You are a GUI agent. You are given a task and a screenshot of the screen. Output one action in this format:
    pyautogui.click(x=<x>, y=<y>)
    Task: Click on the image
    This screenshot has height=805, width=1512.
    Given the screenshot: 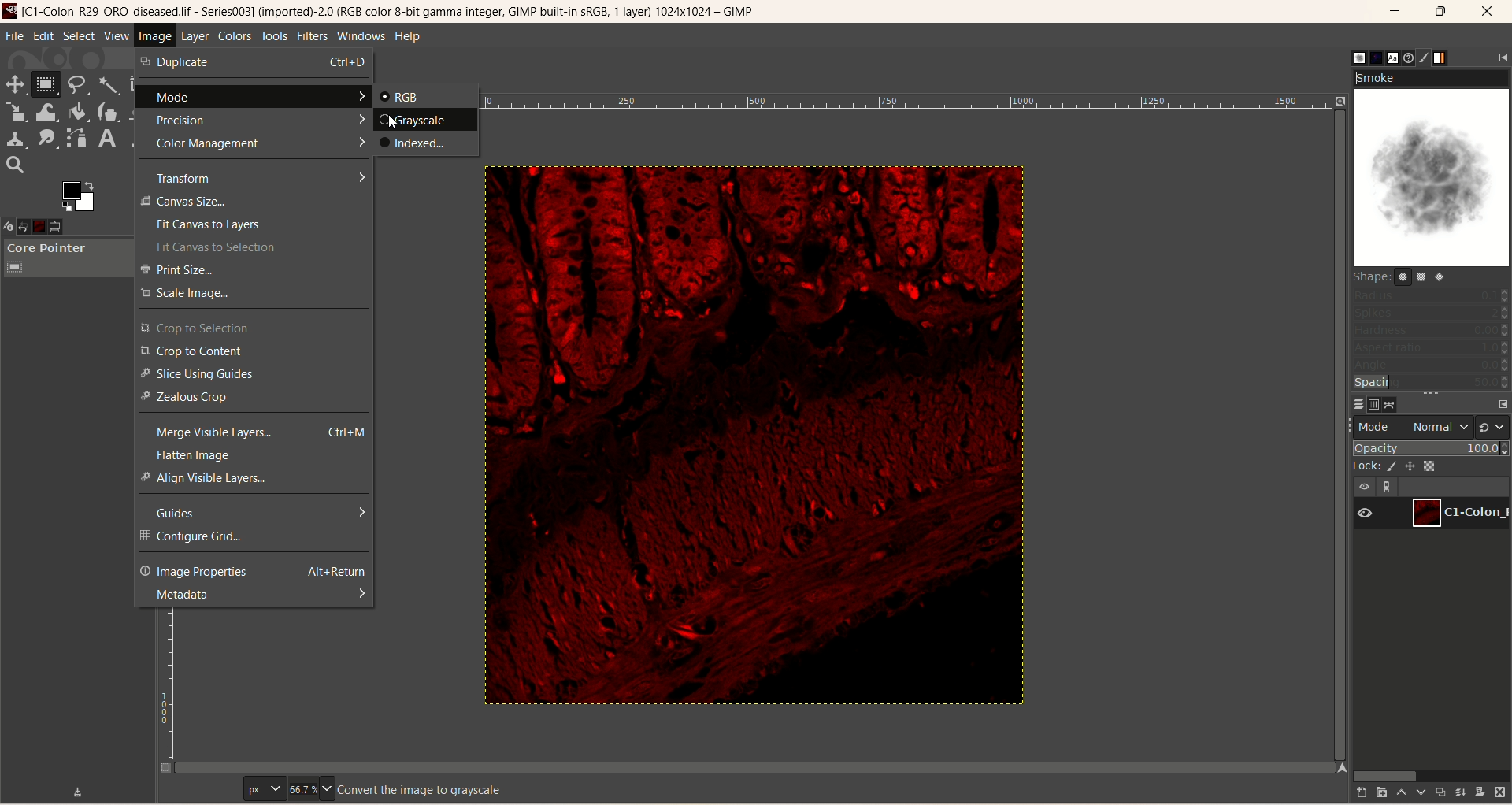 What is the action you would take?
    pyautogui.click(x=754, y=429)
    